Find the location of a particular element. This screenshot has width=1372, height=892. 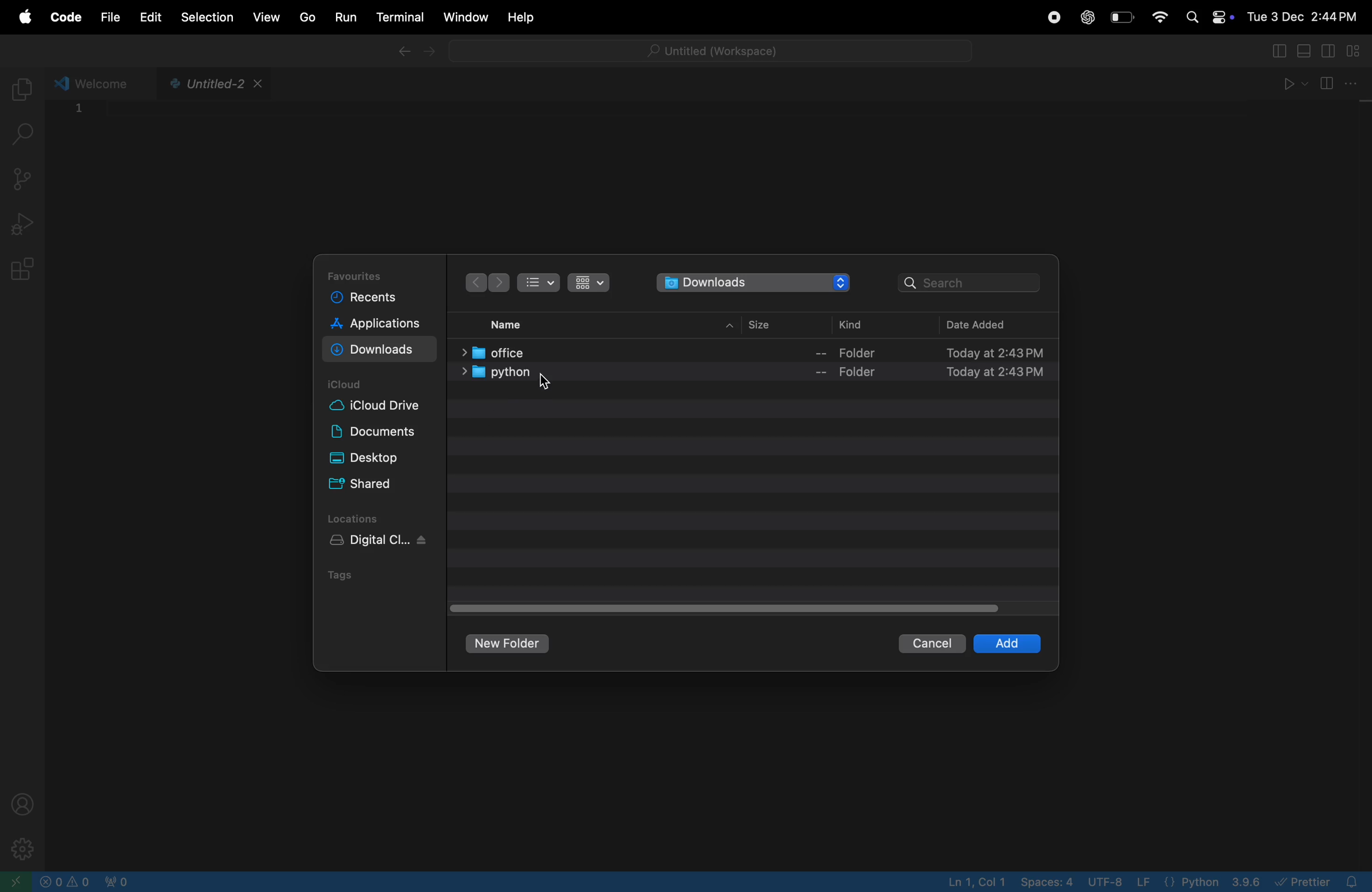

no active ports is located at coordinates (121, 882).